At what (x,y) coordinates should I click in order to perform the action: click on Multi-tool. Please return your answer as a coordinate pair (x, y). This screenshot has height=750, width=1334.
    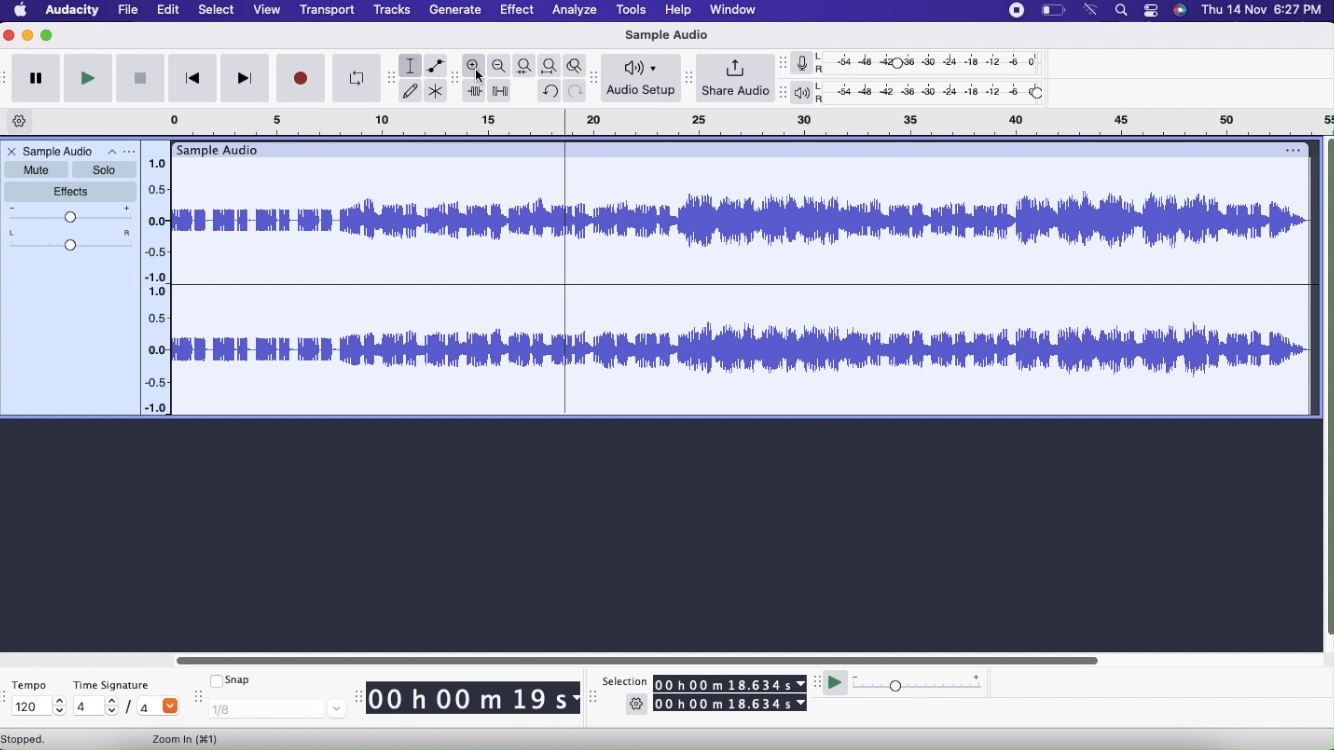
    Looking at the image, I should click on (438, 90).